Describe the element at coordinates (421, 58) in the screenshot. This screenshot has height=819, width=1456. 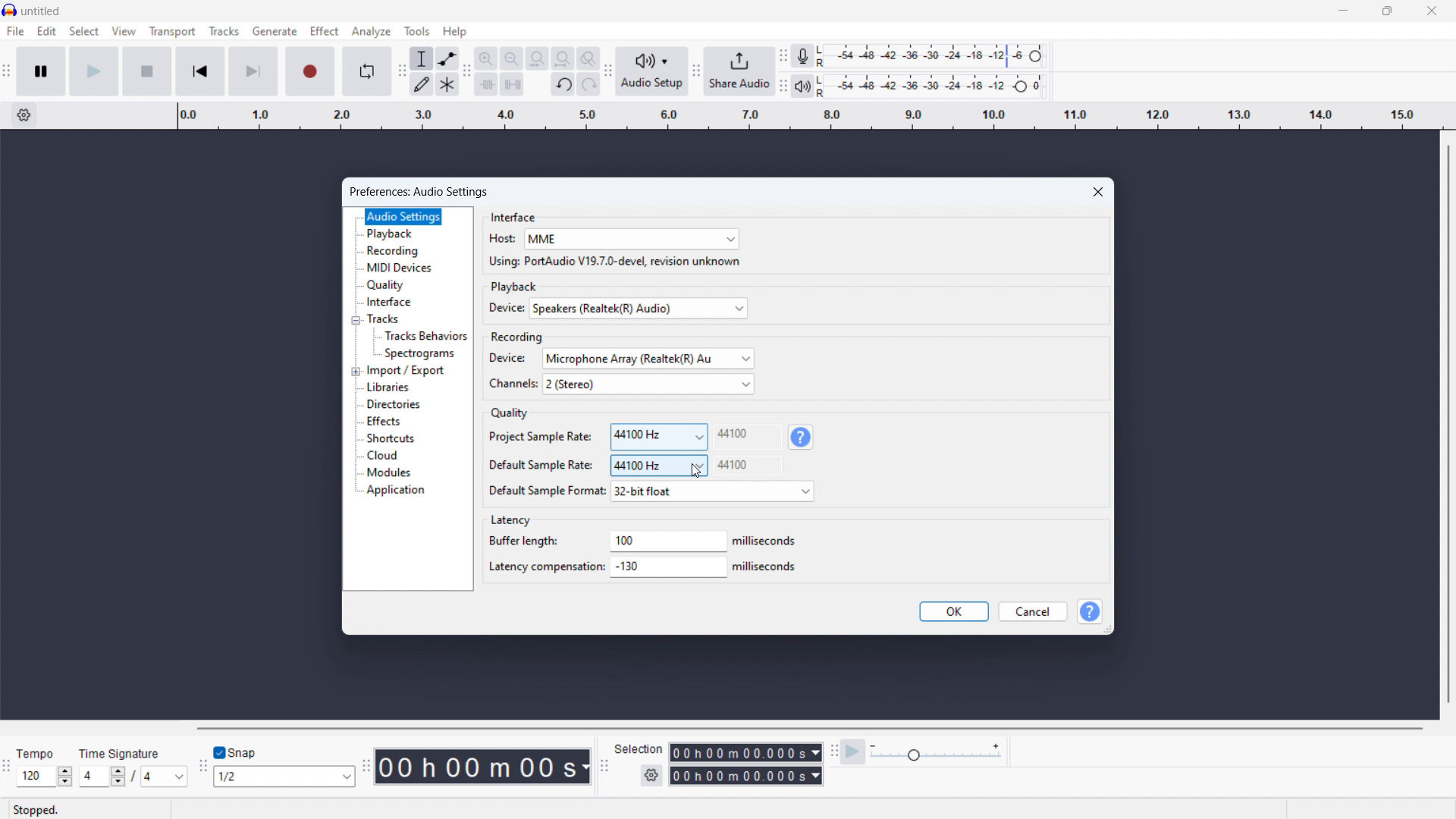
I see `selection tool` at that location.